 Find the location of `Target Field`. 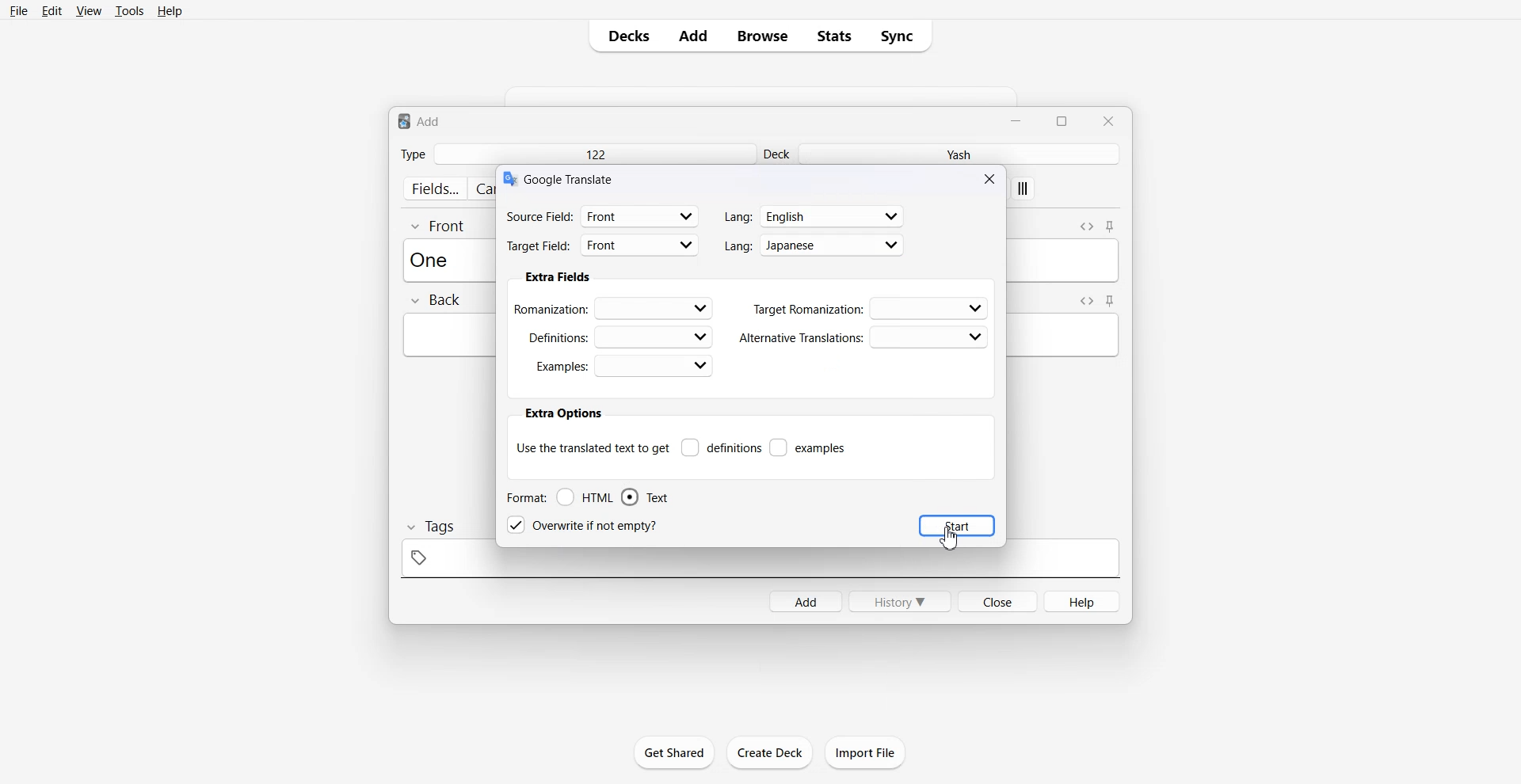

Target Field is located at coordinates (603, 247).